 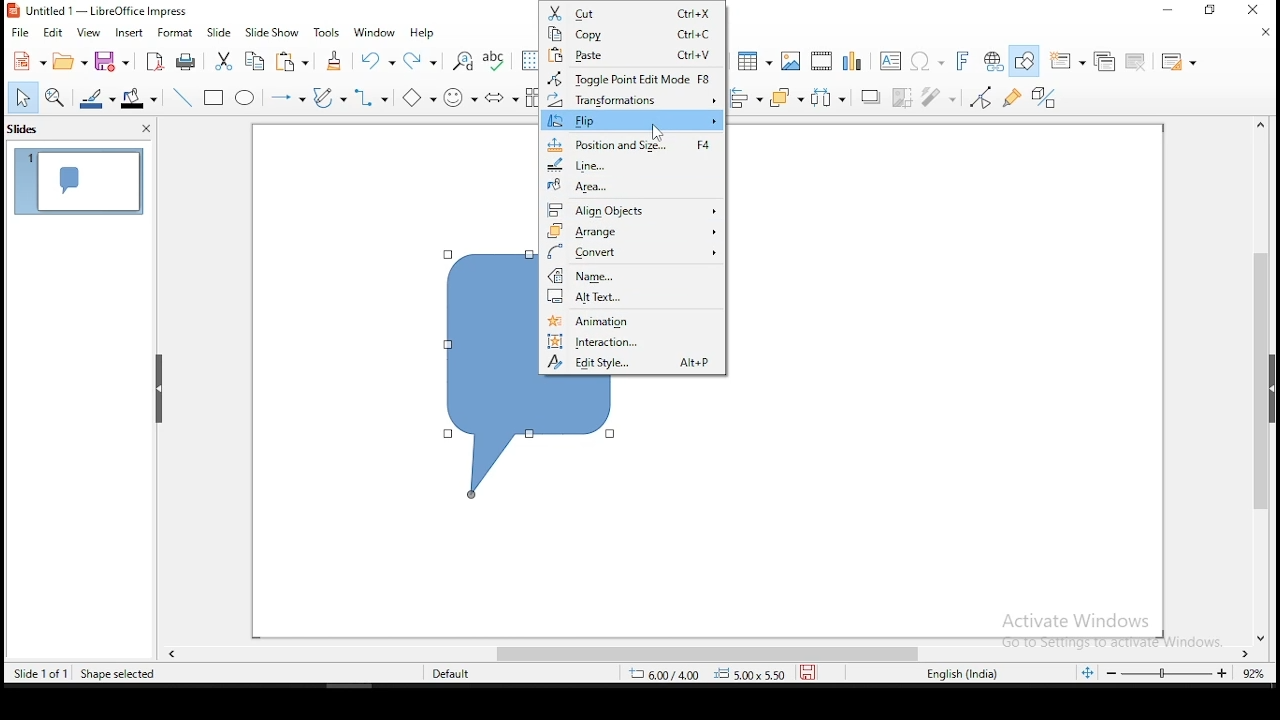 What do you see at coordinates (1268, 32) in the screenshot?
I see `close` at bounding box center [1268, 32].